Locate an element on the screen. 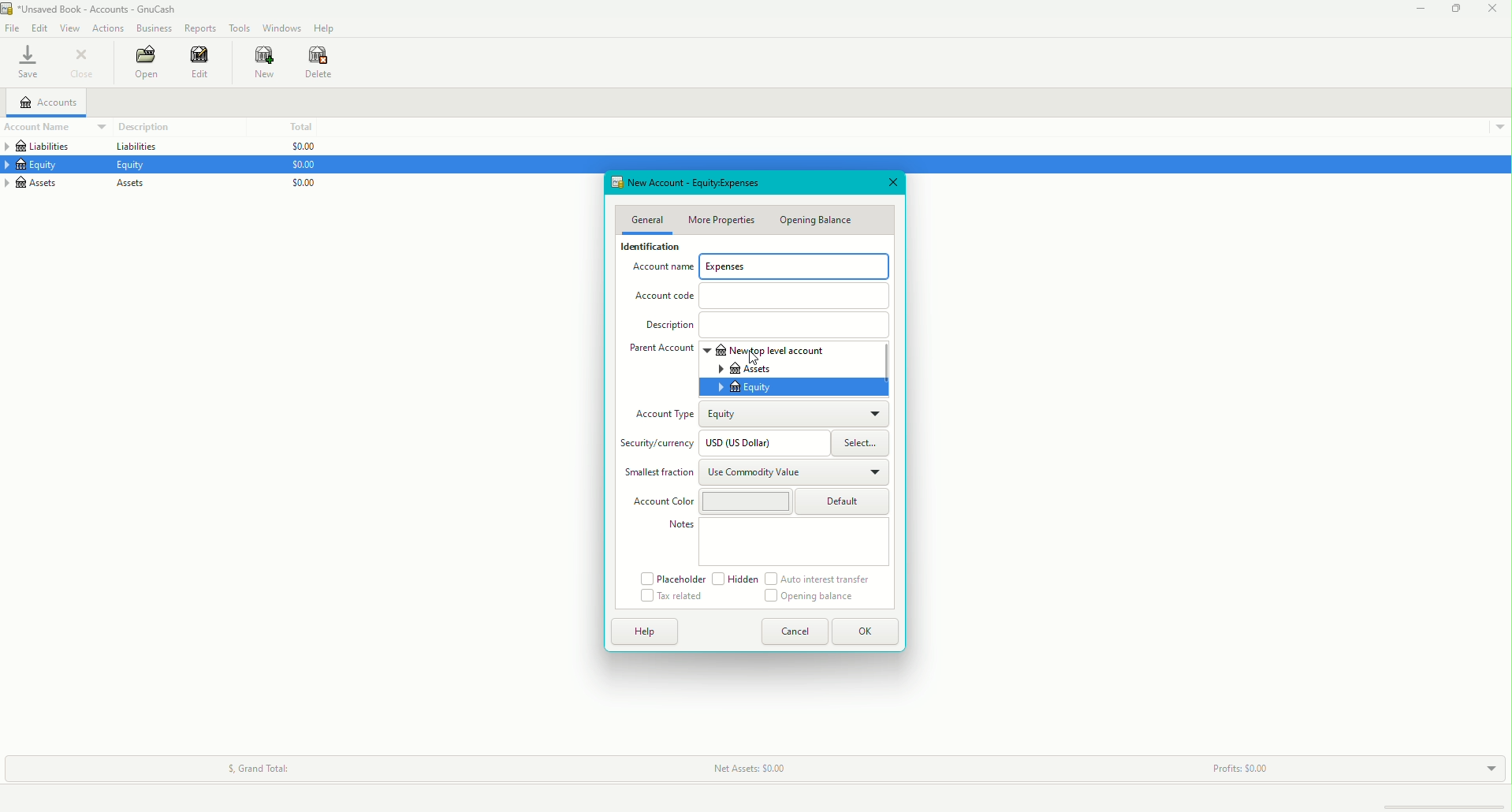 This screenshot has height=812, width=1512. Help is located at coordinates (322, 28).